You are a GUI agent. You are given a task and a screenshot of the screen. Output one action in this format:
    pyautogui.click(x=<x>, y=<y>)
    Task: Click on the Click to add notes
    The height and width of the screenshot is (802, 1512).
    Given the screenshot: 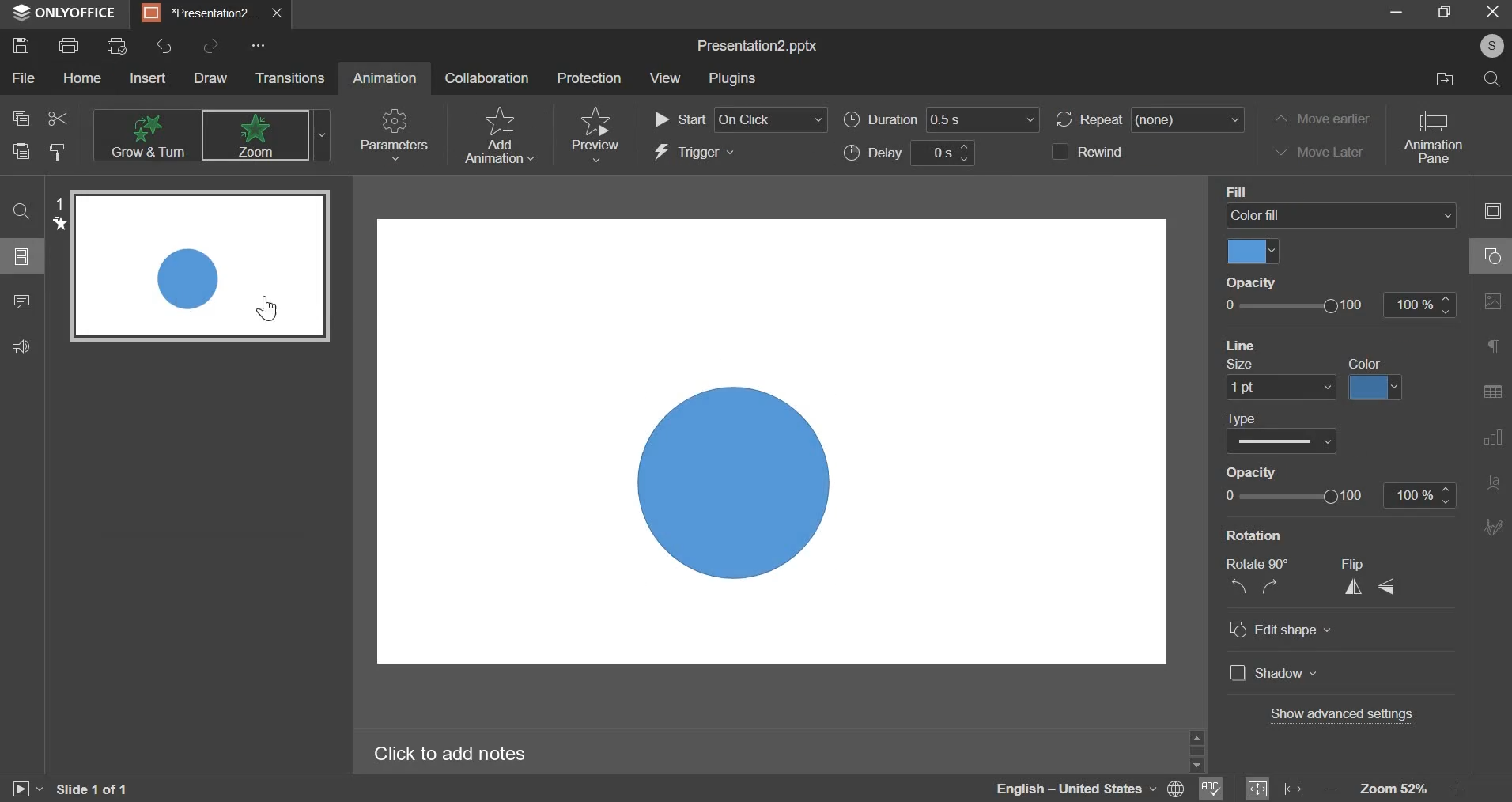 What is the action you would take?
    pyautogui.click(x=482, y=754)
    